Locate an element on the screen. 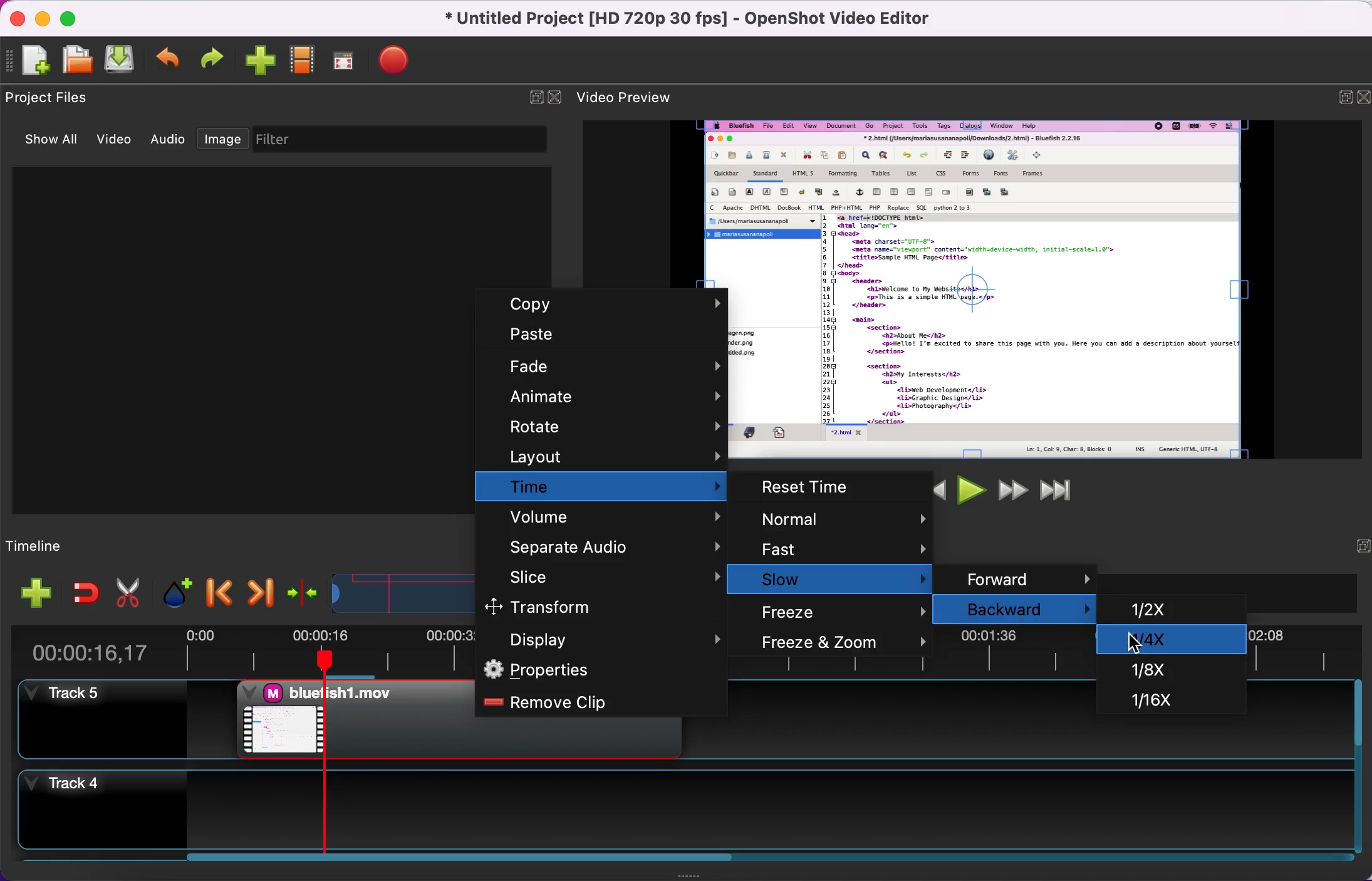  scroll bar is located at coordinates (457, 862).